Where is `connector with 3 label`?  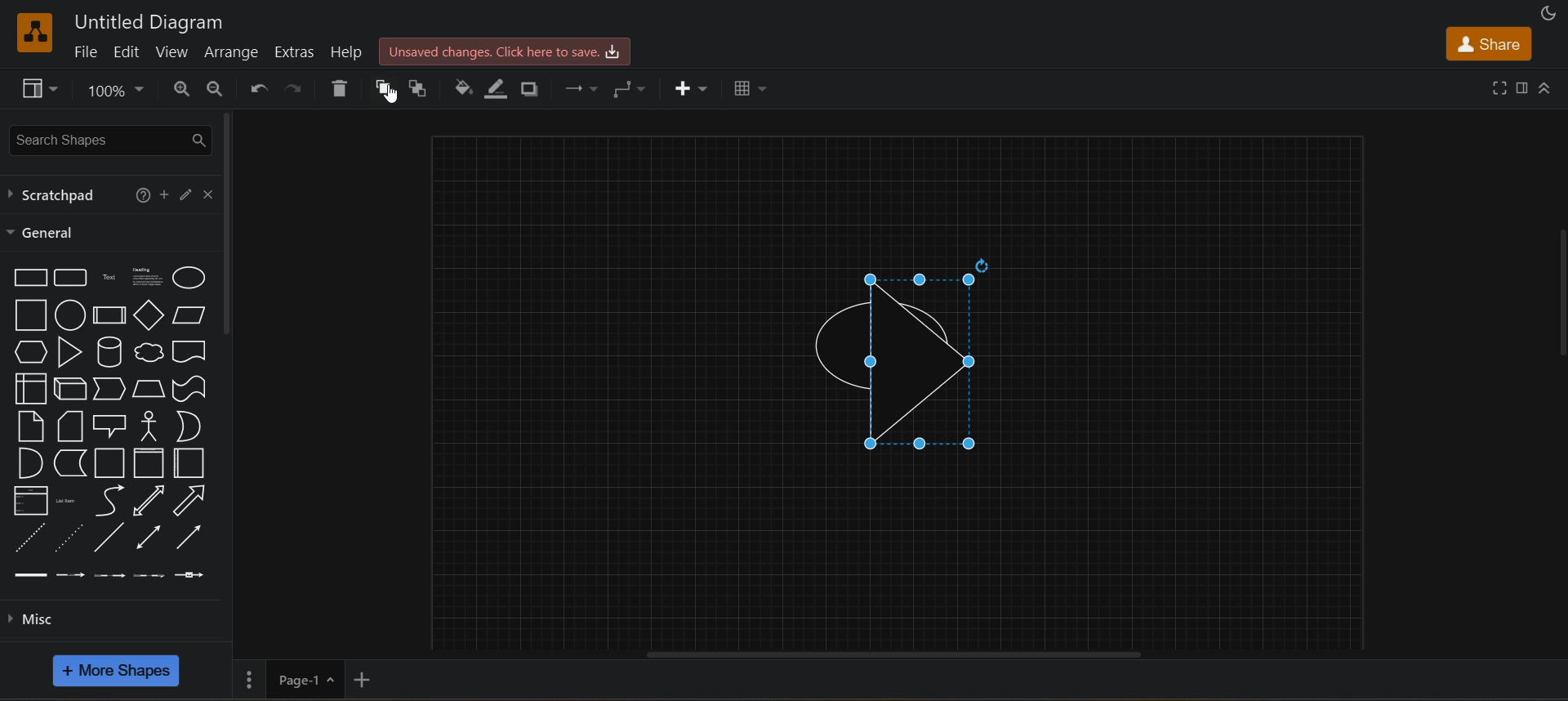
connector with 3 label is located at coordinates (150, 575).